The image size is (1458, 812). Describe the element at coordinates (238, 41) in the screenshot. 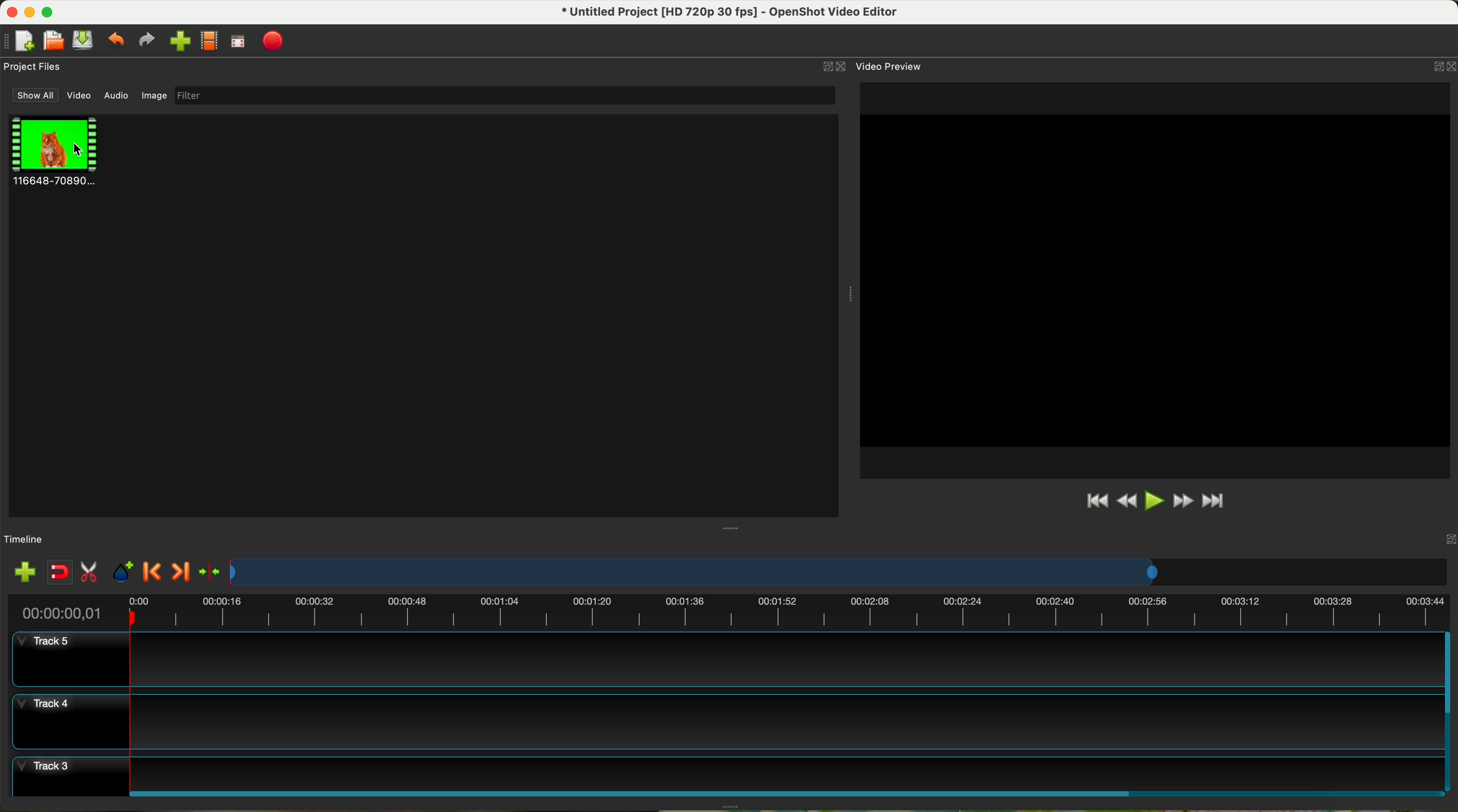

I see `full screen` at that location.